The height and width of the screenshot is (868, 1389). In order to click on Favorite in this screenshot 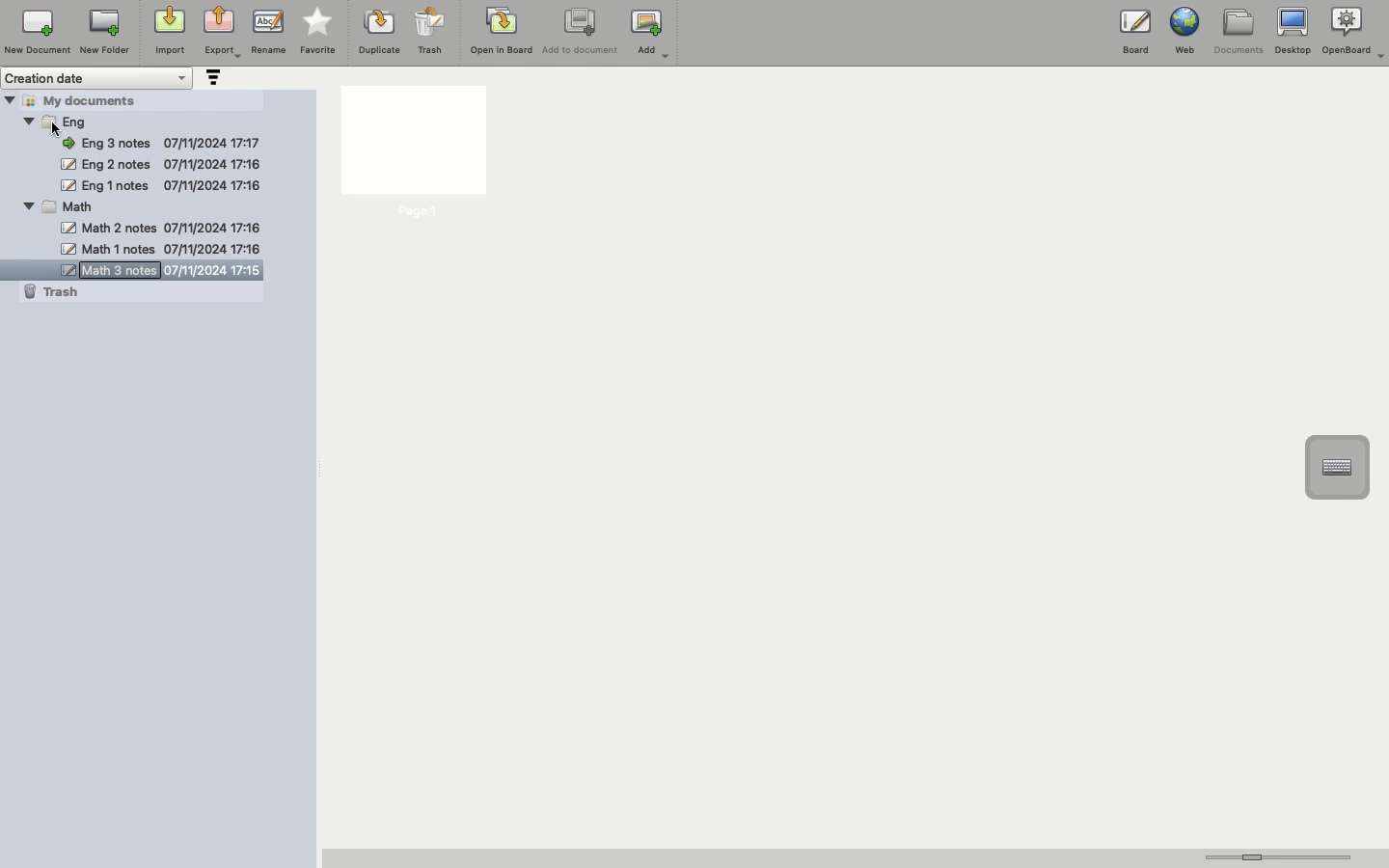, I will do `click(318, 32)`.